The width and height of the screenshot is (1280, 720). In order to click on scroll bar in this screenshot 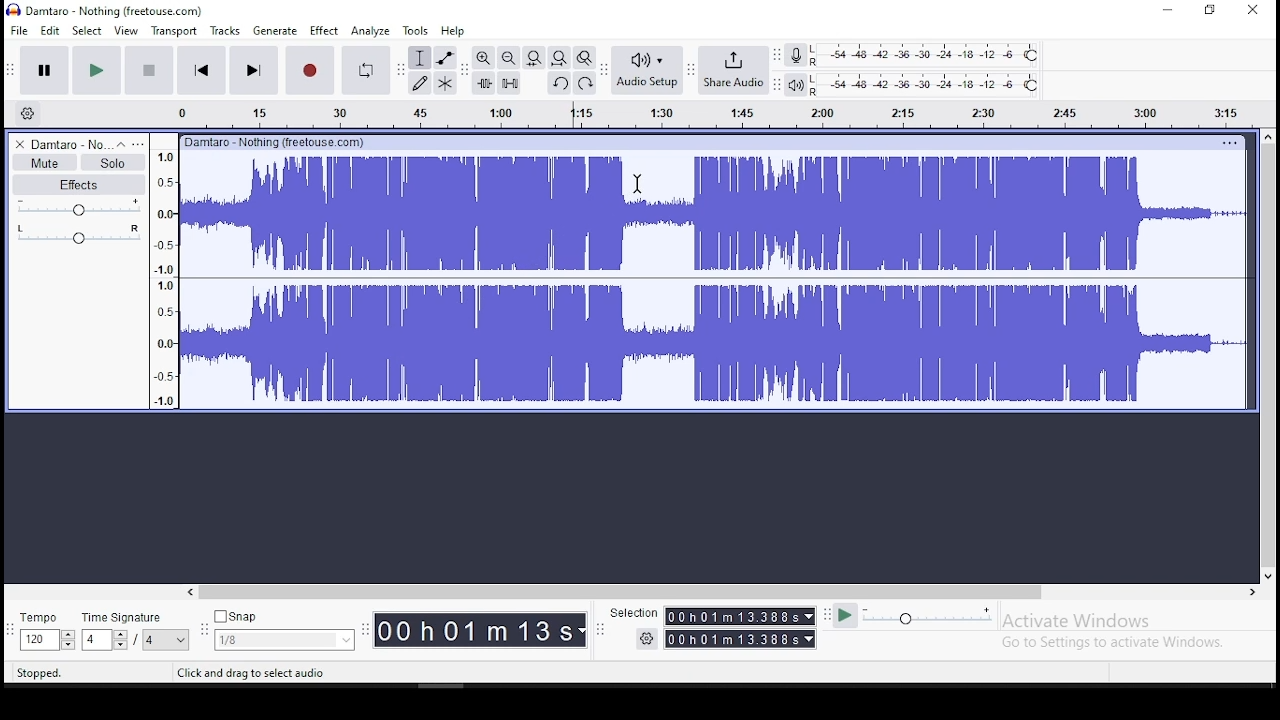, I will do `click(621, 591)`.